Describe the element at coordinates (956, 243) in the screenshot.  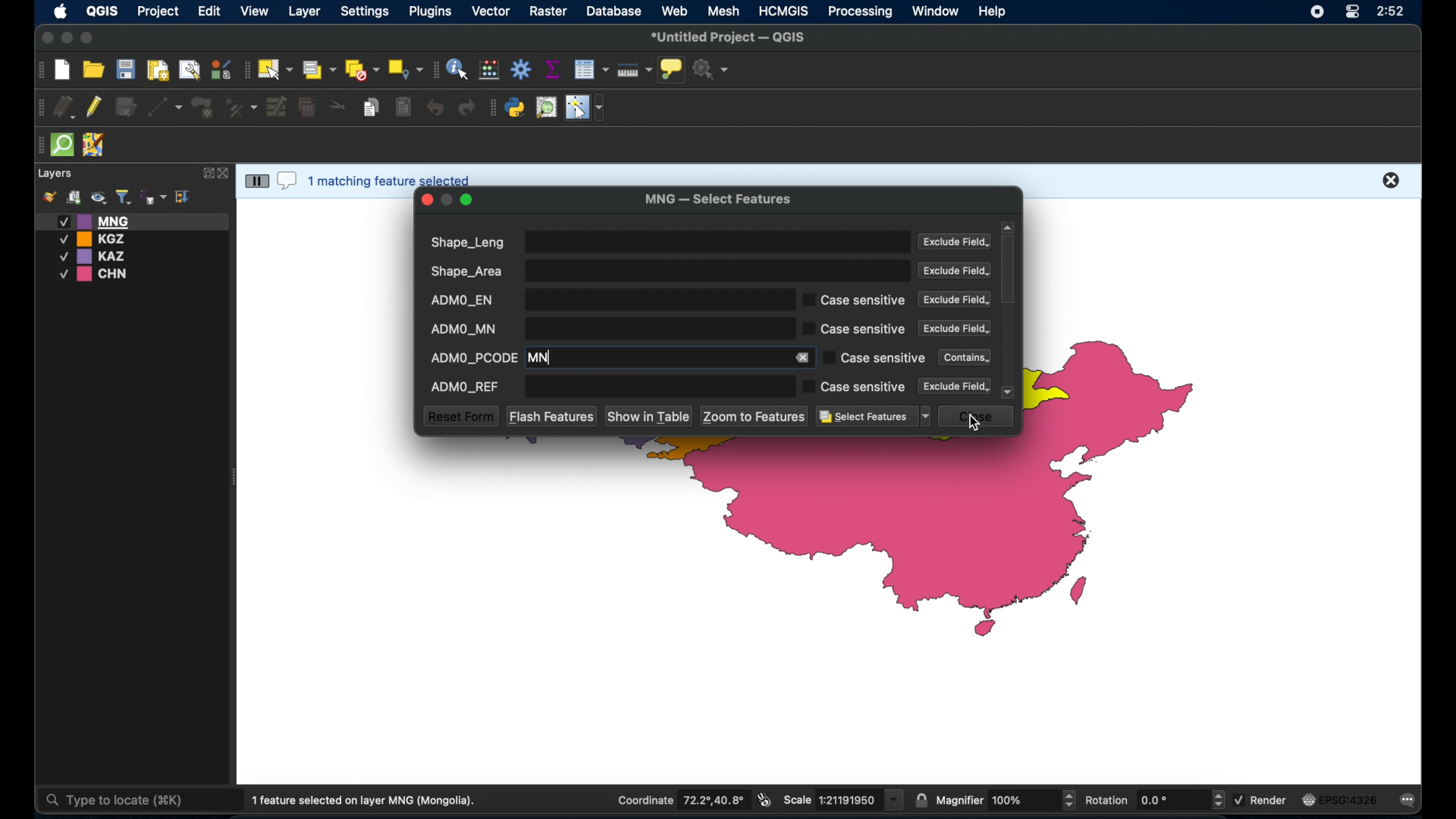
I see `exclude field` at that location.